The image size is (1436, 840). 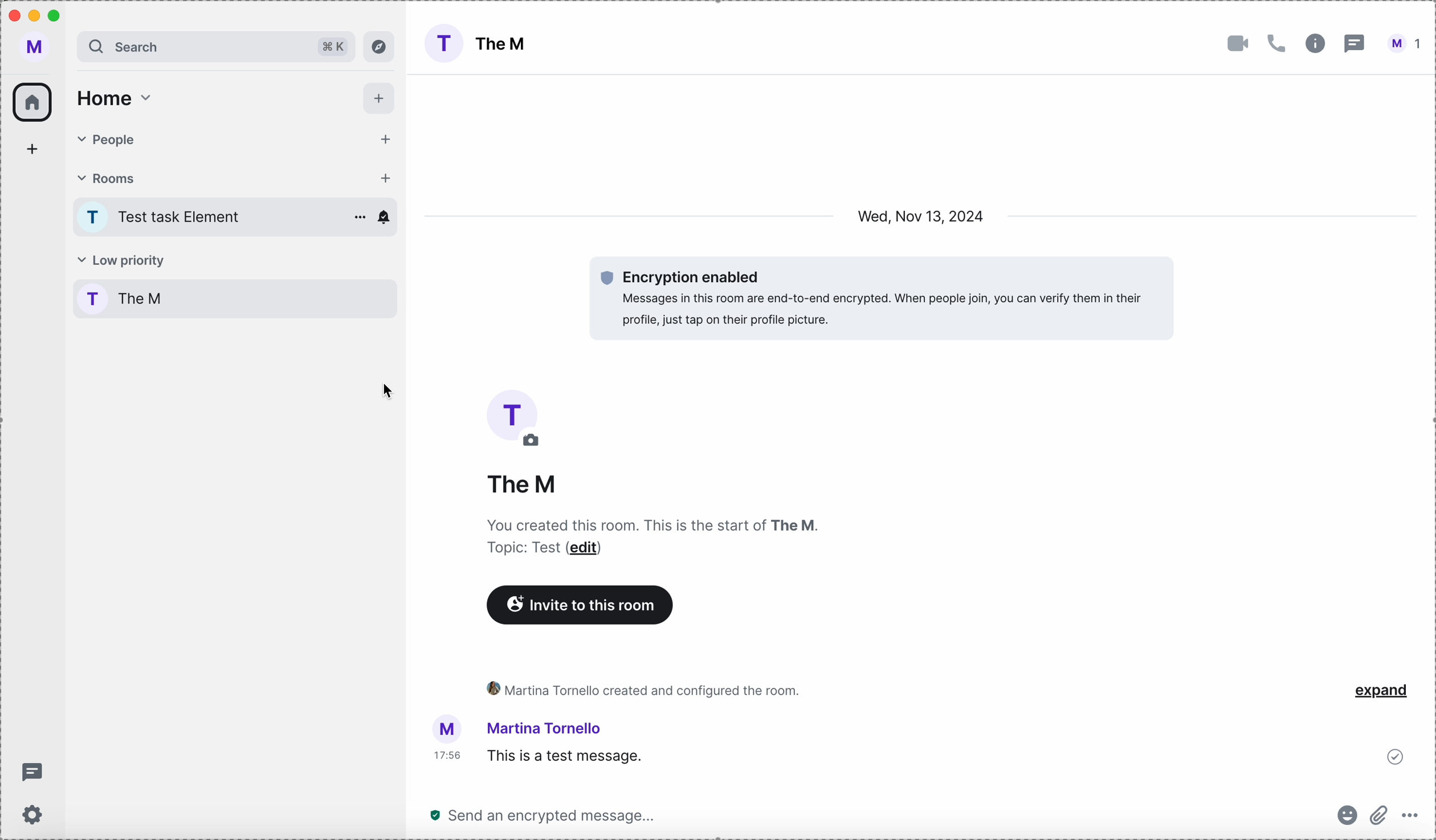 What do you see at coordinates (186, 218) in the screenshot?
I see `test task Element` at bounding box center [186, 218].